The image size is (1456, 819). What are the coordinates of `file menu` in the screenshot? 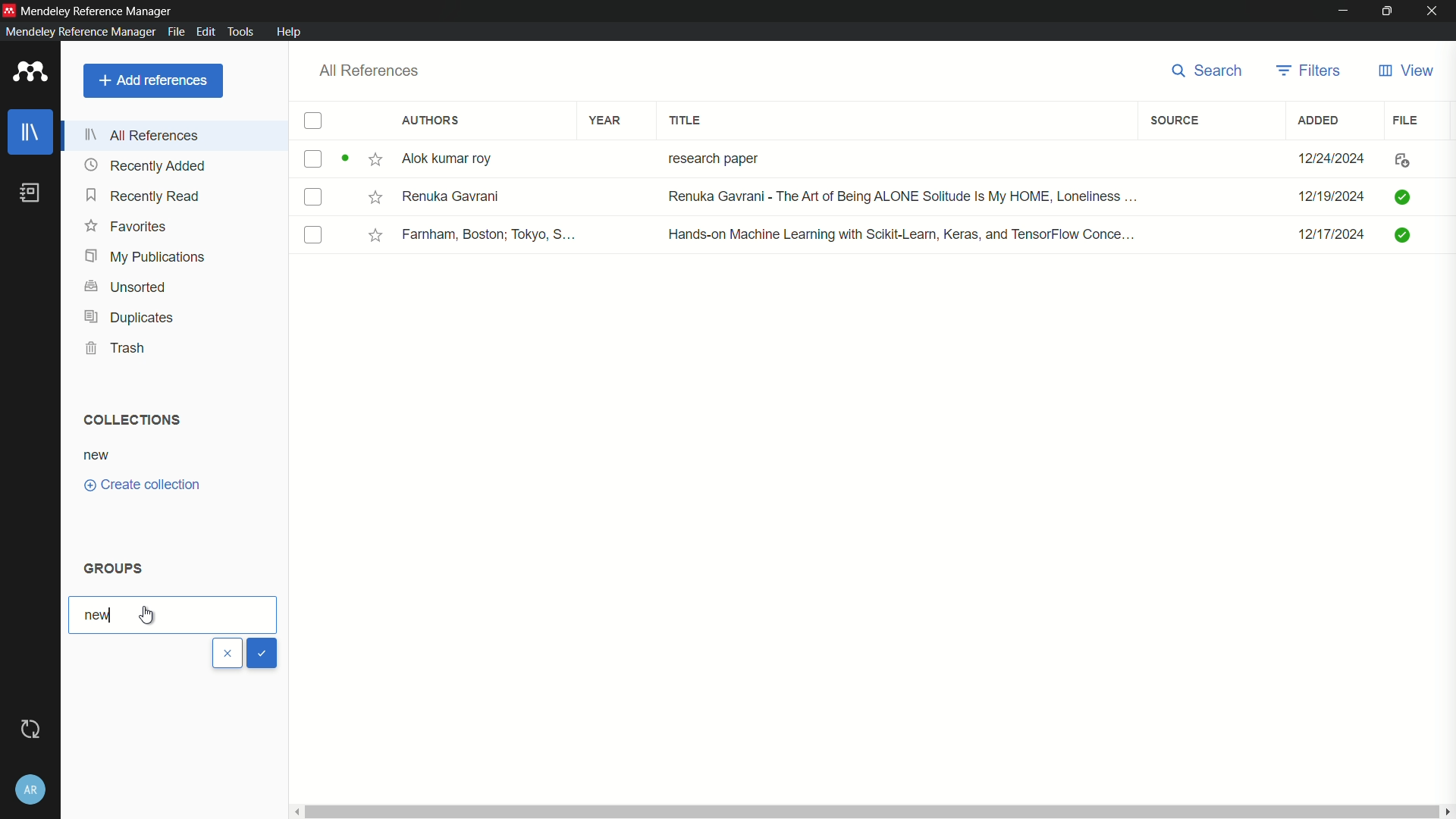 It's located at (174, 30).